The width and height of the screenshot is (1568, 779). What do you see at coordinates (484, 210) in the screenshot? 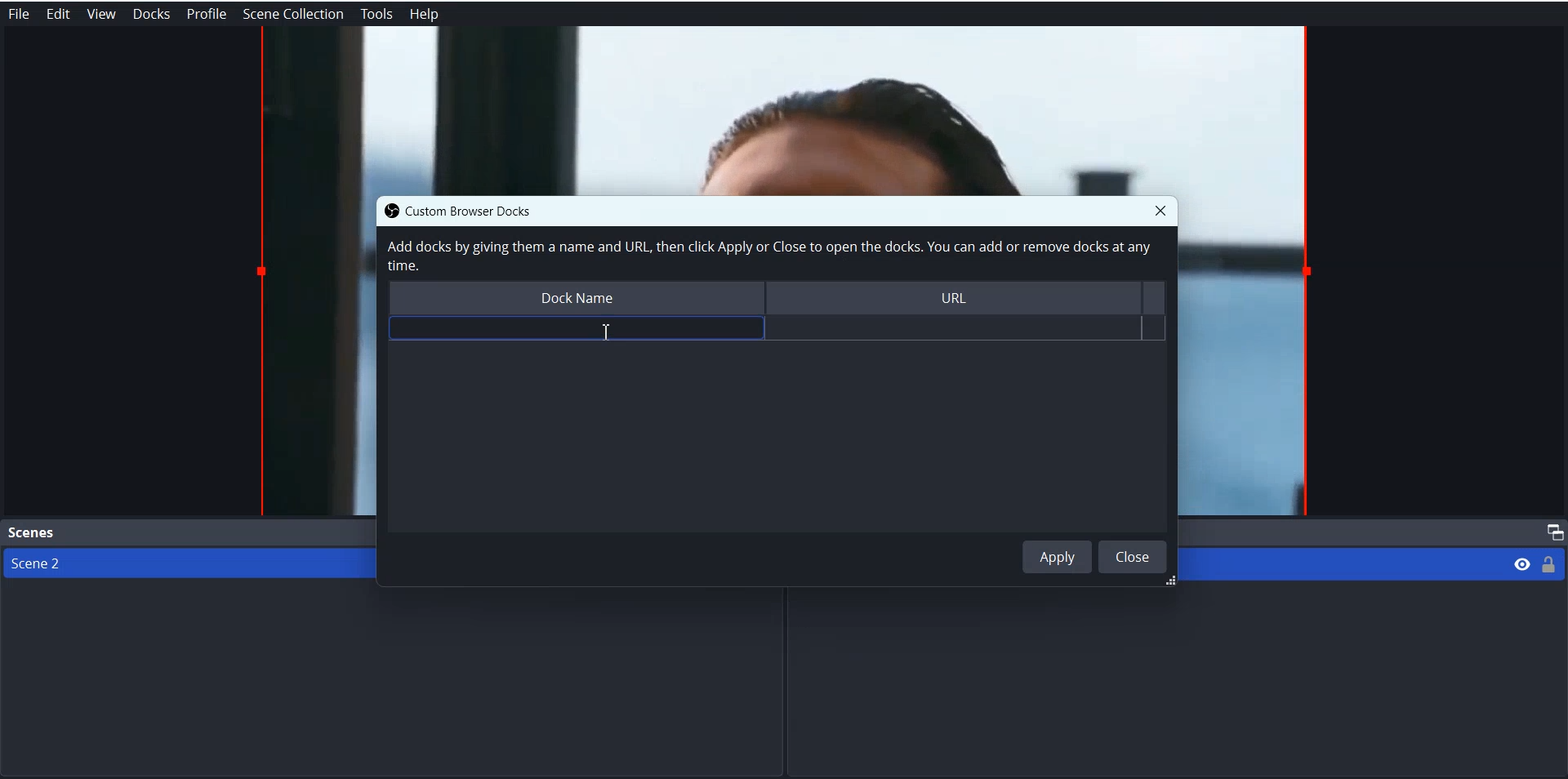
I see `Custom Browser Docks` at bounding box center [484, 210].